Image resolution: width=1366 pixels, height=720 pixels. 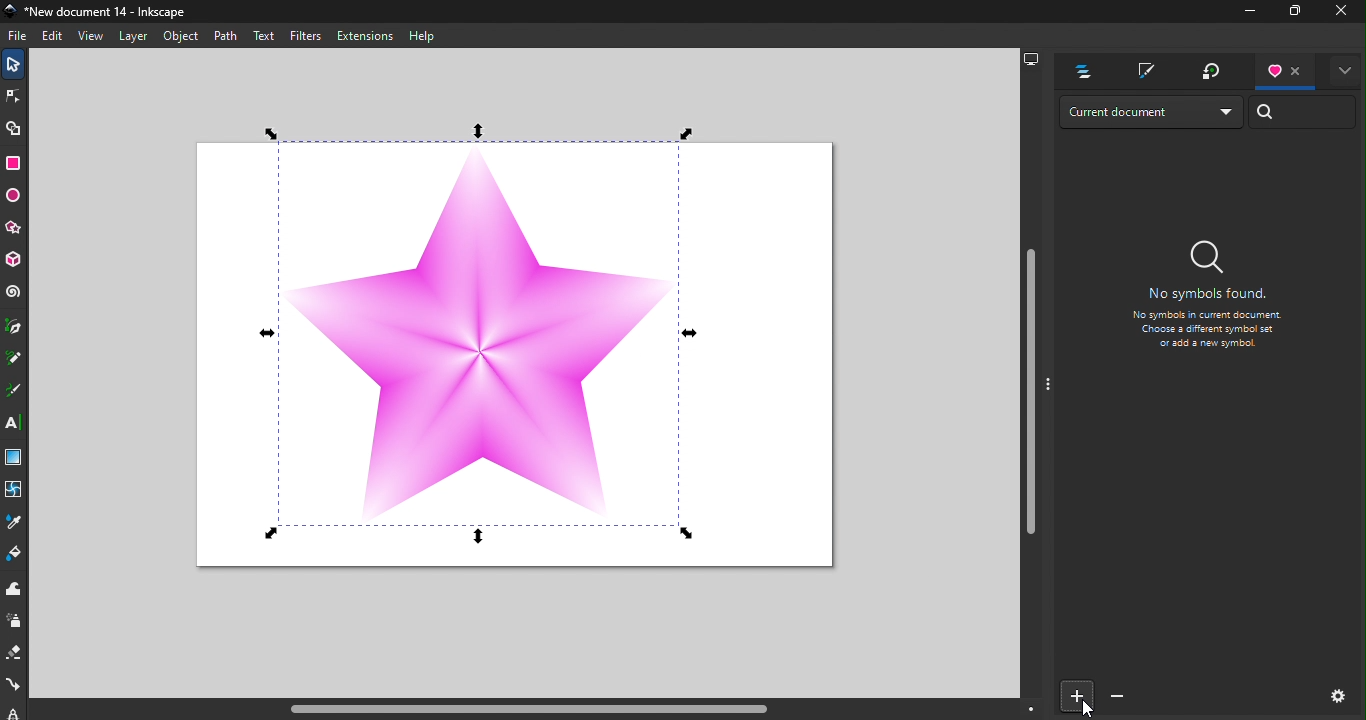 What do you see at coordinates (1329, 694) in the screenshot?
I see `Settings` at bounding box center [1329, 694].